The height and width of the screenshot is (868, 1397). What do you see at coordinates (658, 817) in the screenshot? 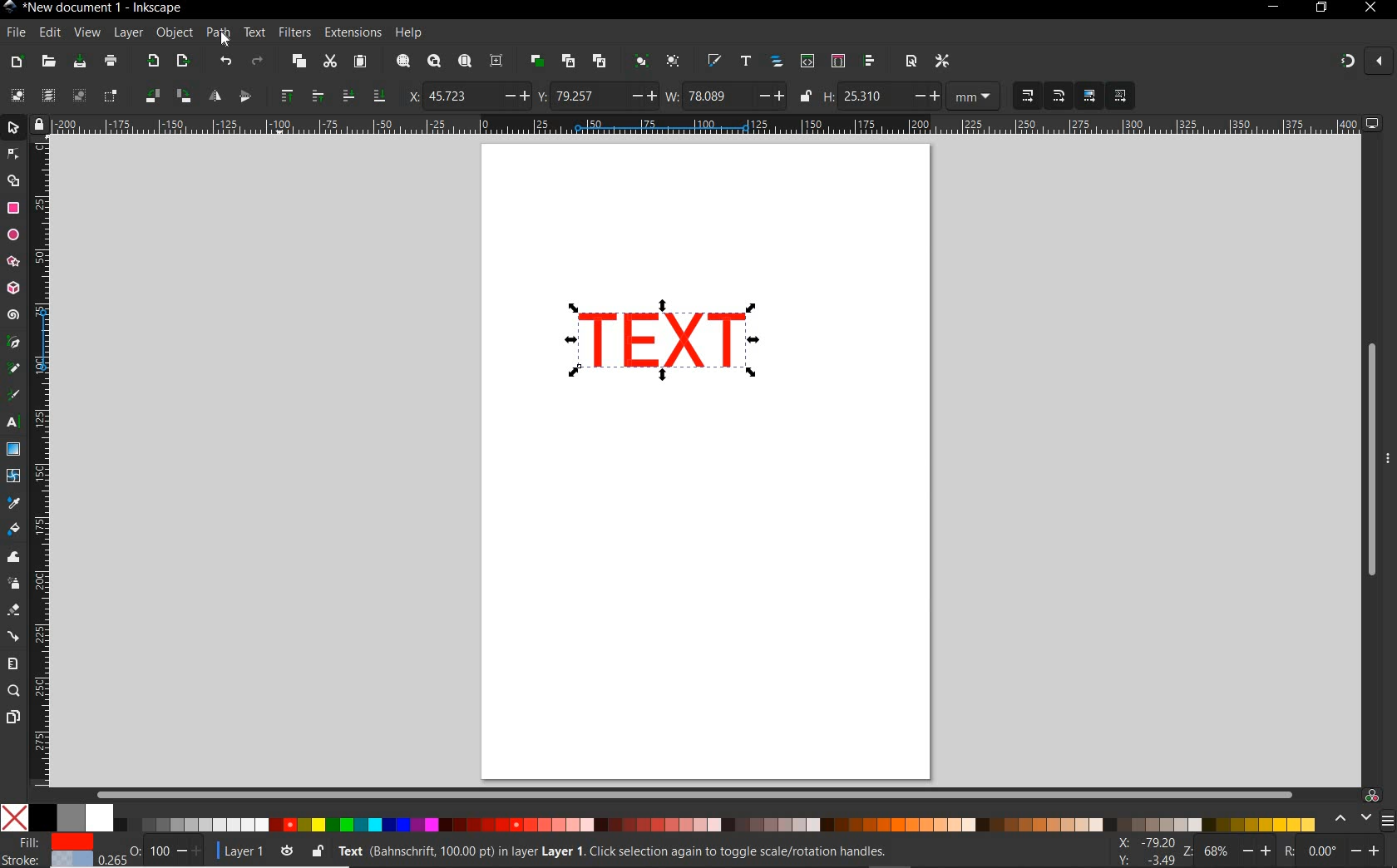
I see `COLOR MODE` at bounding box center [658, 817].